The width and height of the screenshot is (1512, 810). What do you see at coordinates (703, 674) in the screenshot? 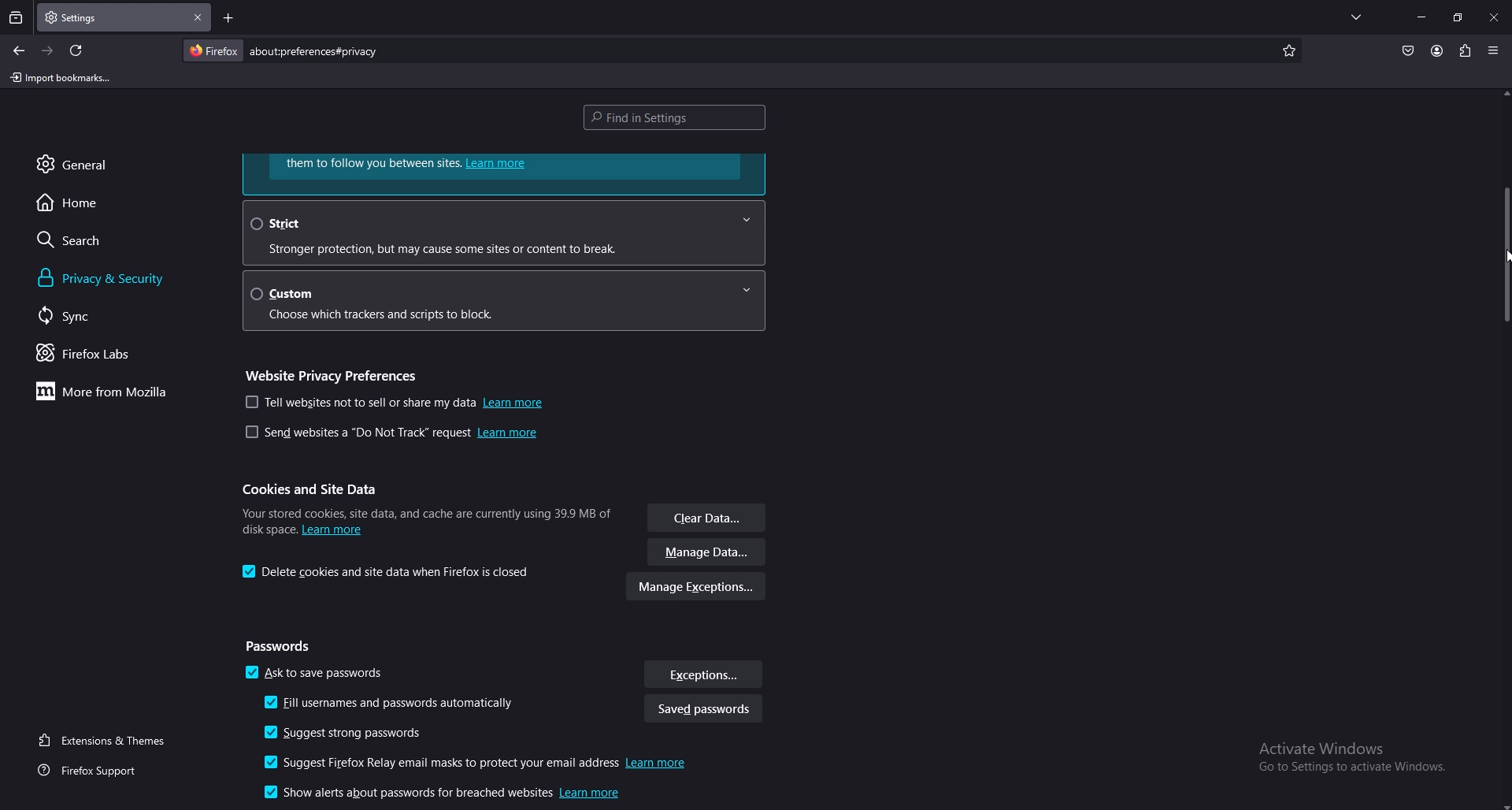
I see `exceptions` at bounding box center [703, 674].